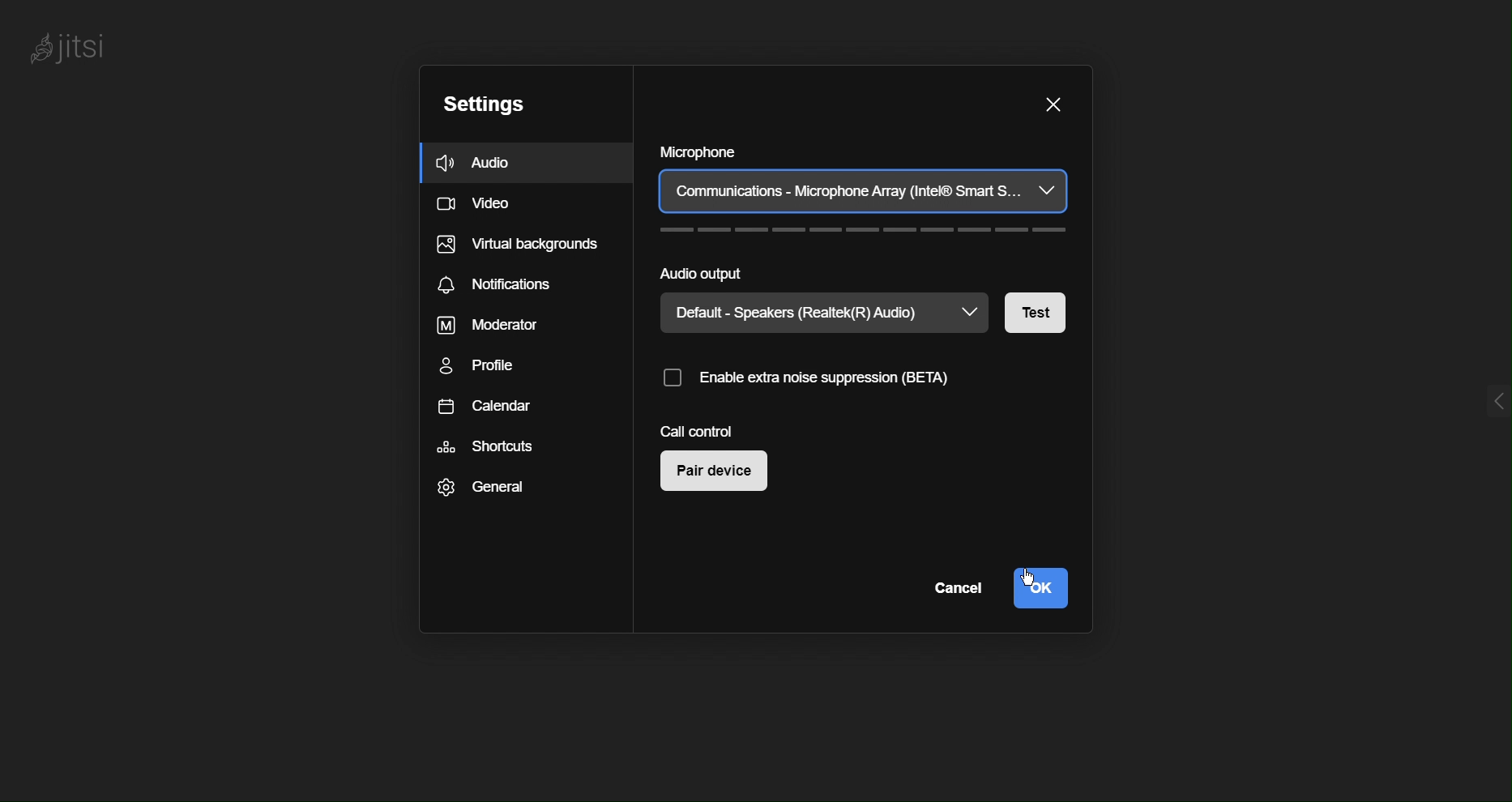 The width and height of the screenshot is (1512, 802). Describe the element at coordinates (1479, 404) in the screenshot. I see `menu` at that location.